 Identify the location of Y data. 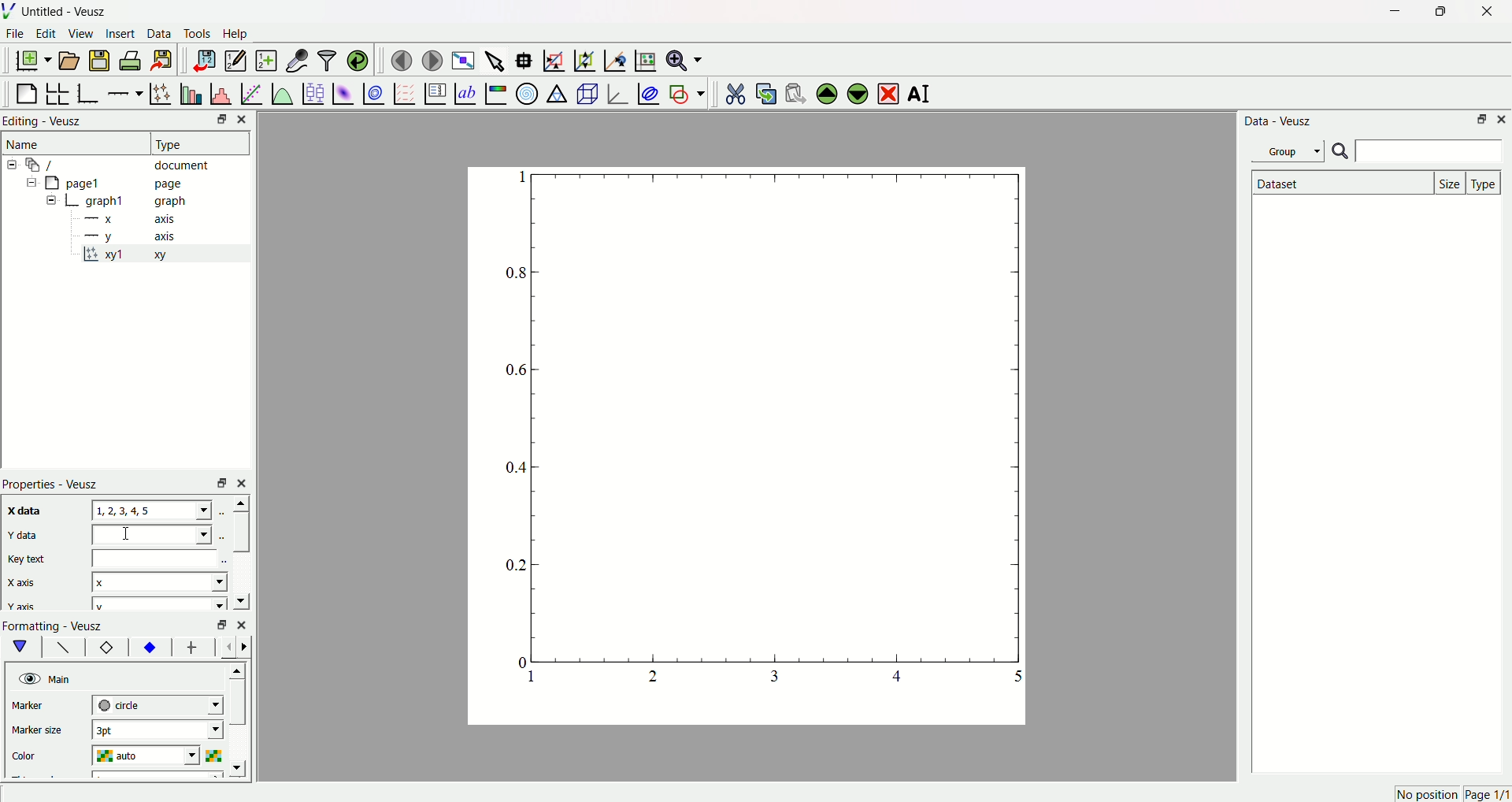
(31, 537).